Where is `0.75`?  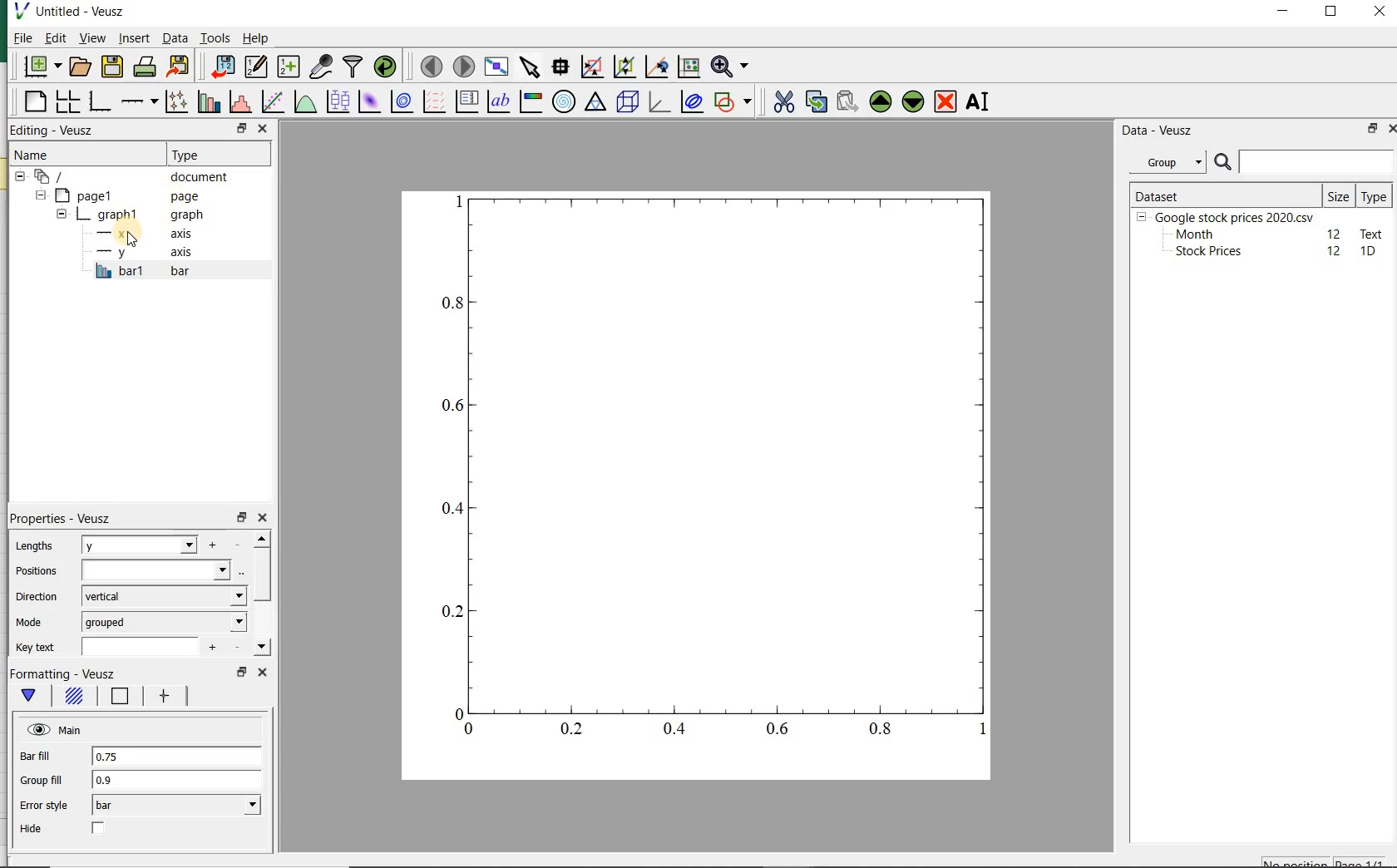
0.75 is located at coordinates (179, 759).